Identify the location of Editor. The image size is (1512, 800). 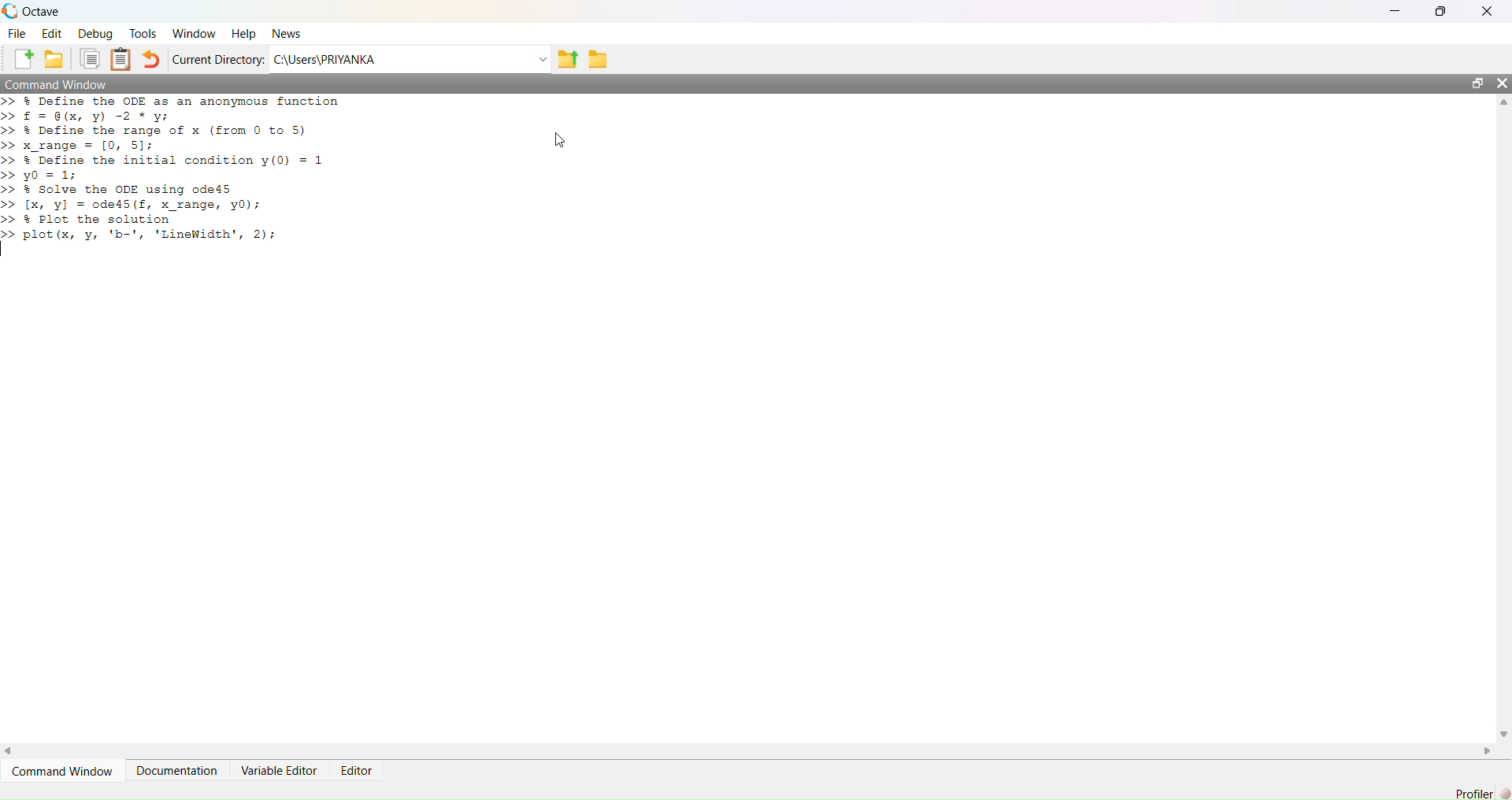
(357, 770).